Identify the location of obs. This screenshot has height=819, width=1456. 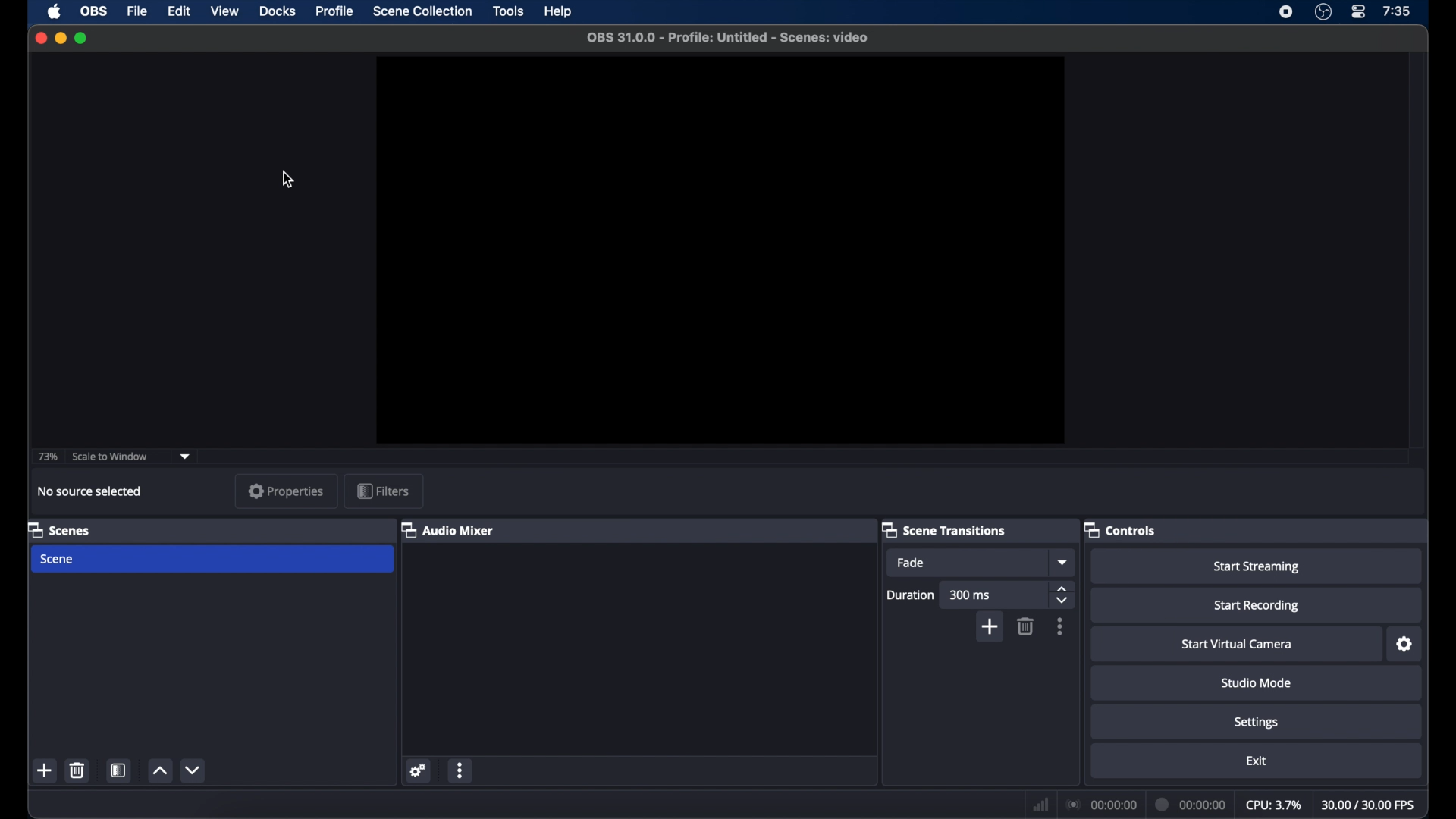
(94, 12).